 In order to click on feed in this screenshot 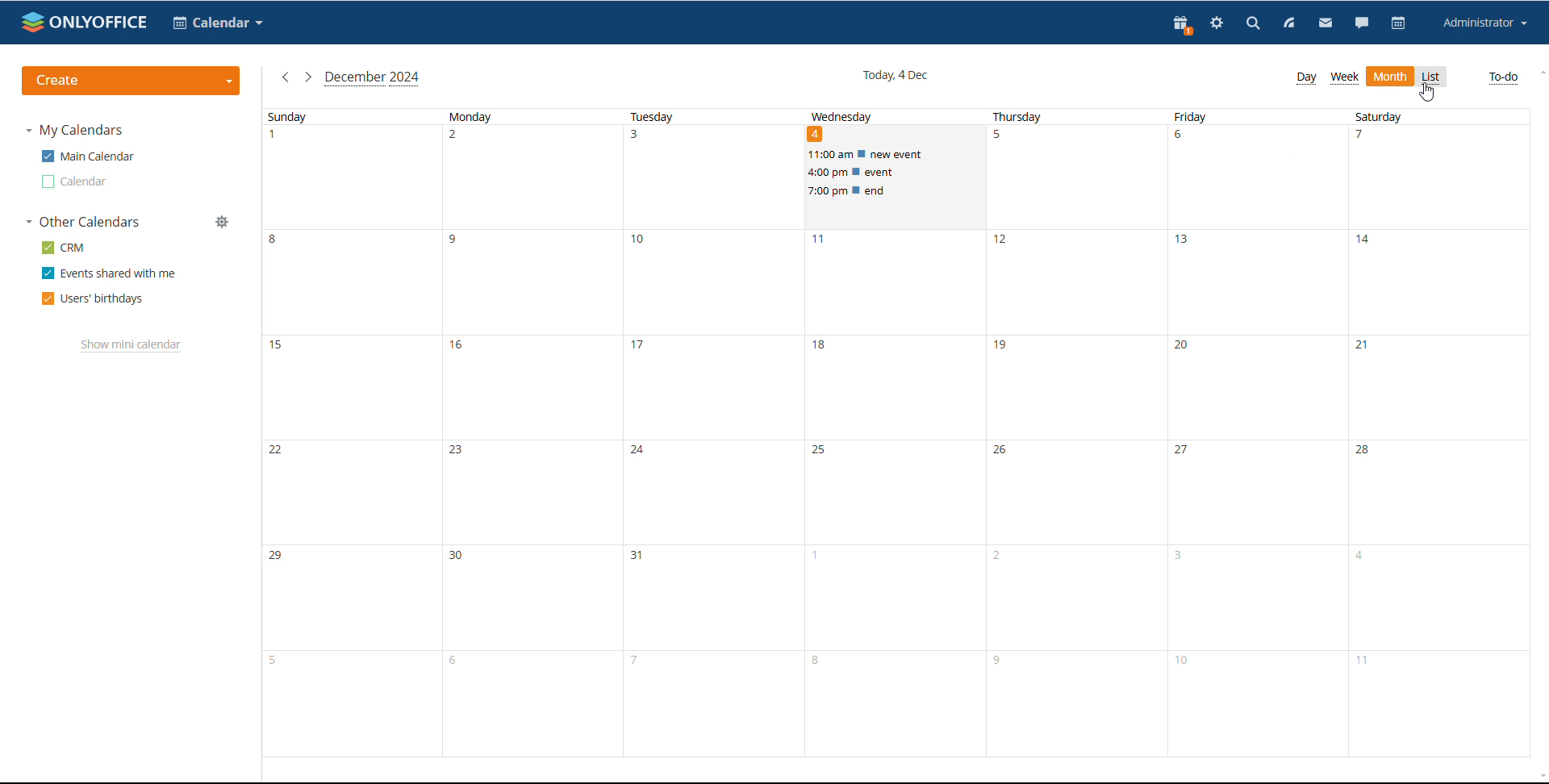, I will do `click(1286, 23)`.